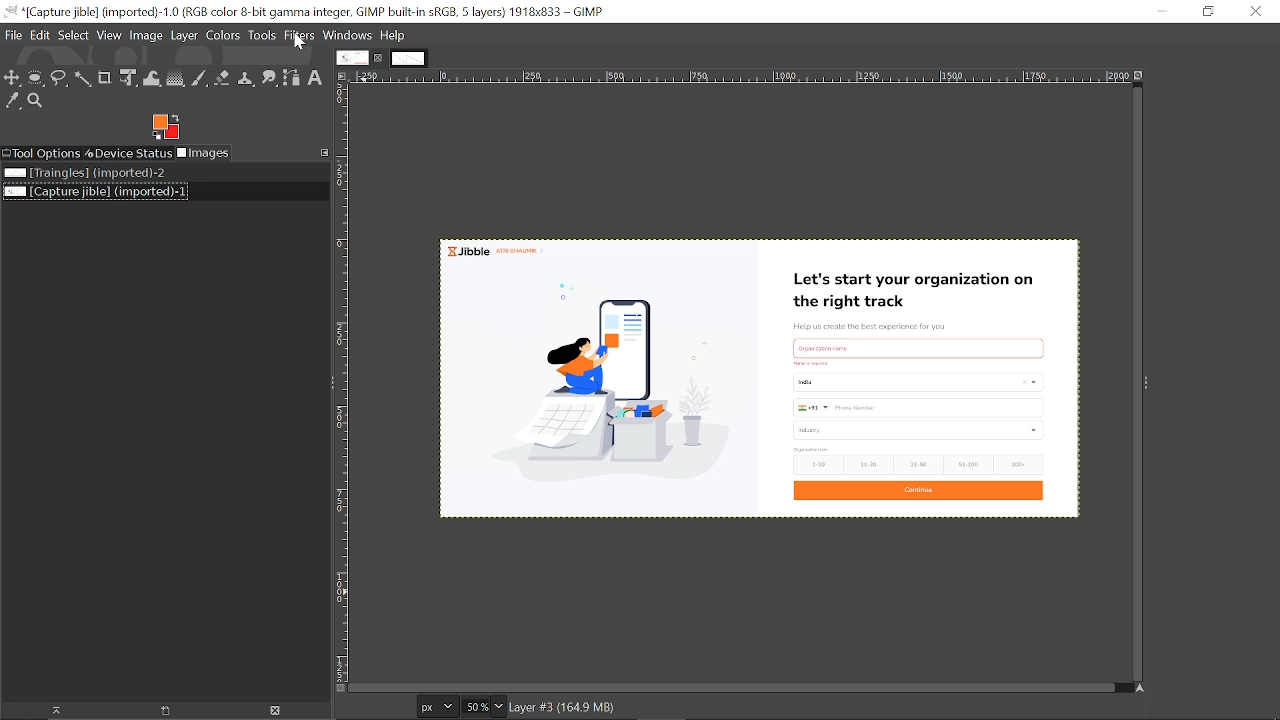 This screenshot has width=1280, height=720. Describe the element at coordinates (877, 323) in the screenshot. I see `Help us  create the best experience for you.` at that location.